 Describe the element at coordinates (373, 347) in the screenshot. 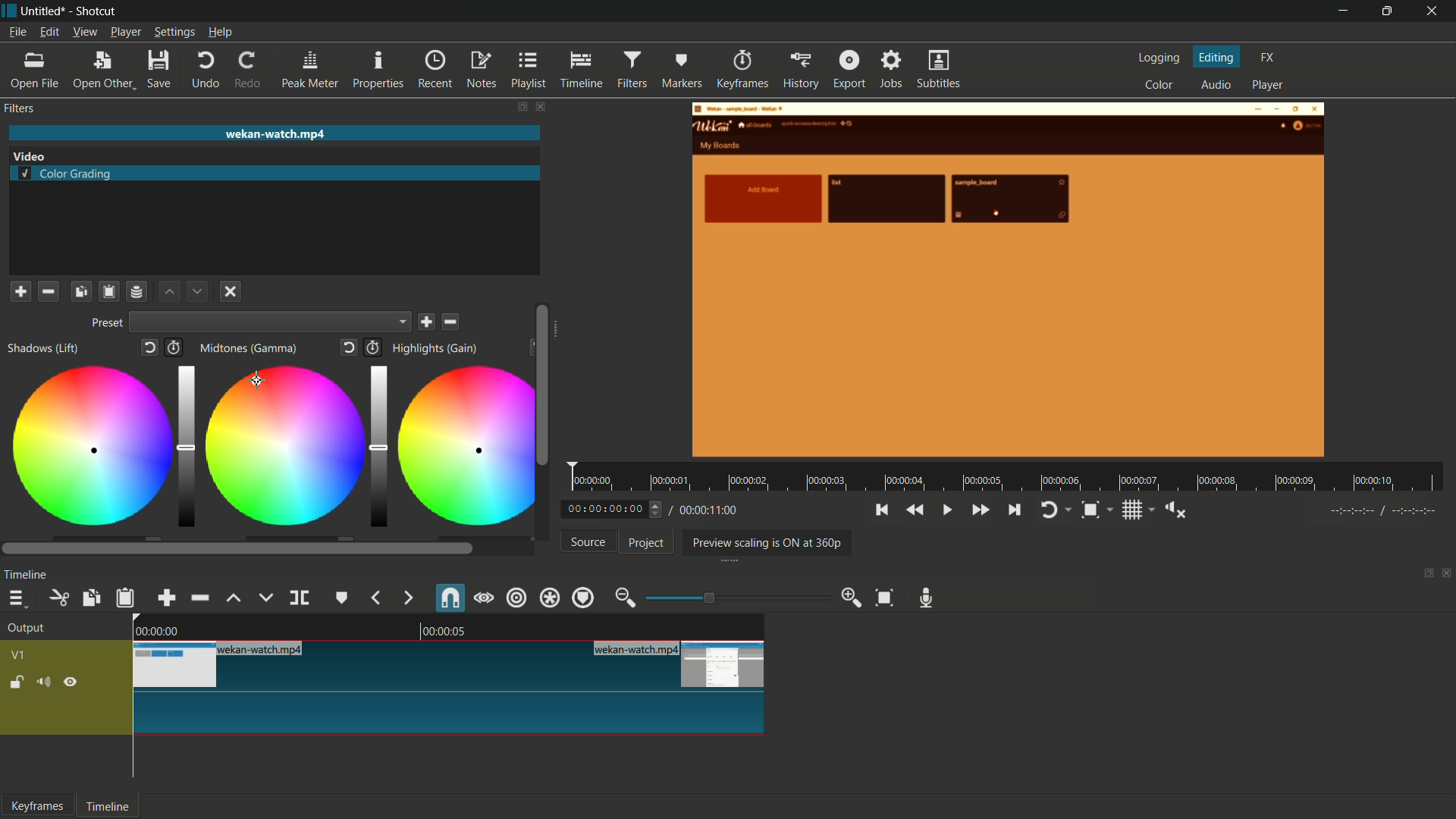

I see `add keyframes to this parameter` at that location.